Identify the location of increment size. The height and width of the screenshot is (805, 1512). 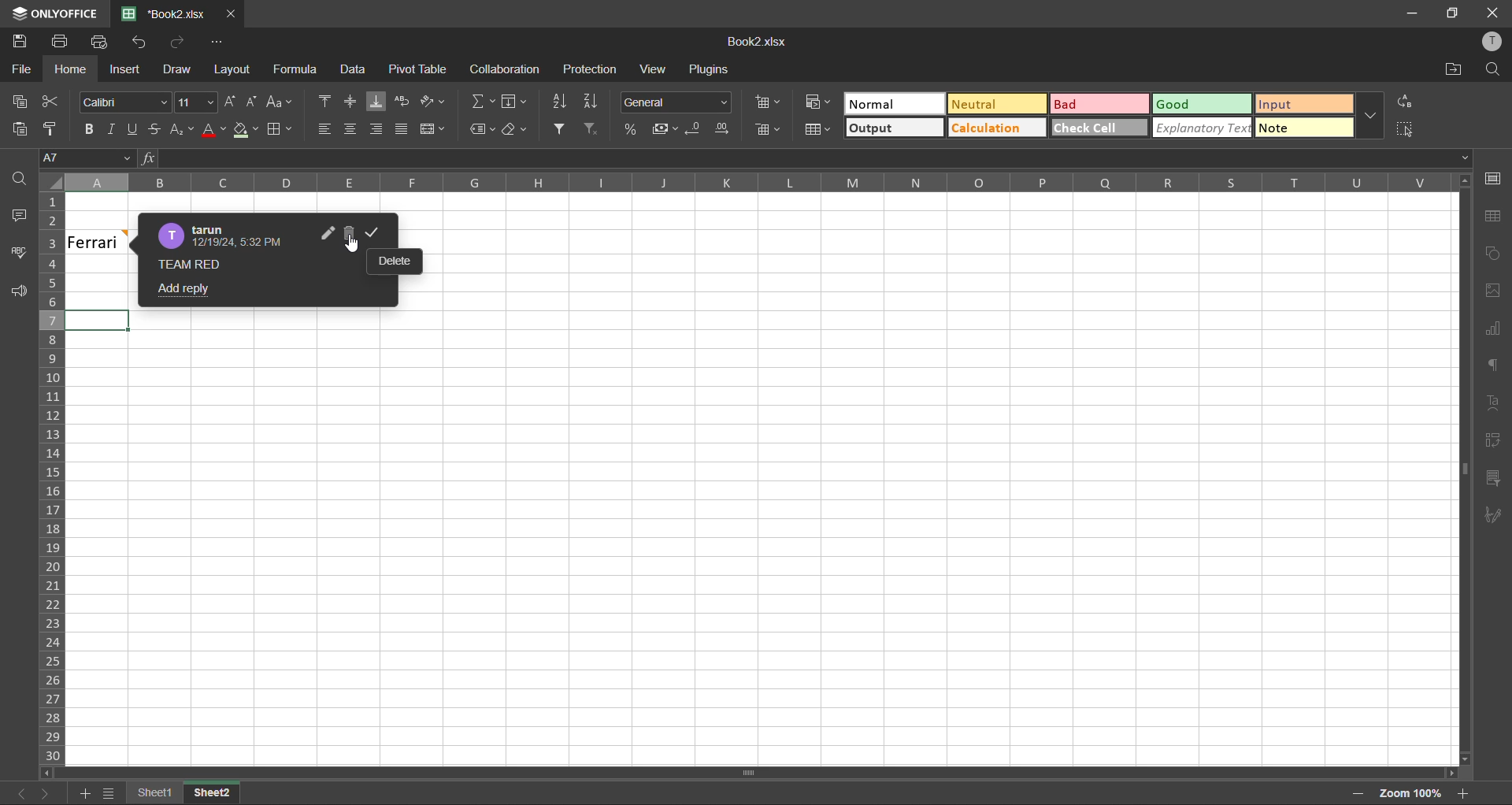
(232, 105).